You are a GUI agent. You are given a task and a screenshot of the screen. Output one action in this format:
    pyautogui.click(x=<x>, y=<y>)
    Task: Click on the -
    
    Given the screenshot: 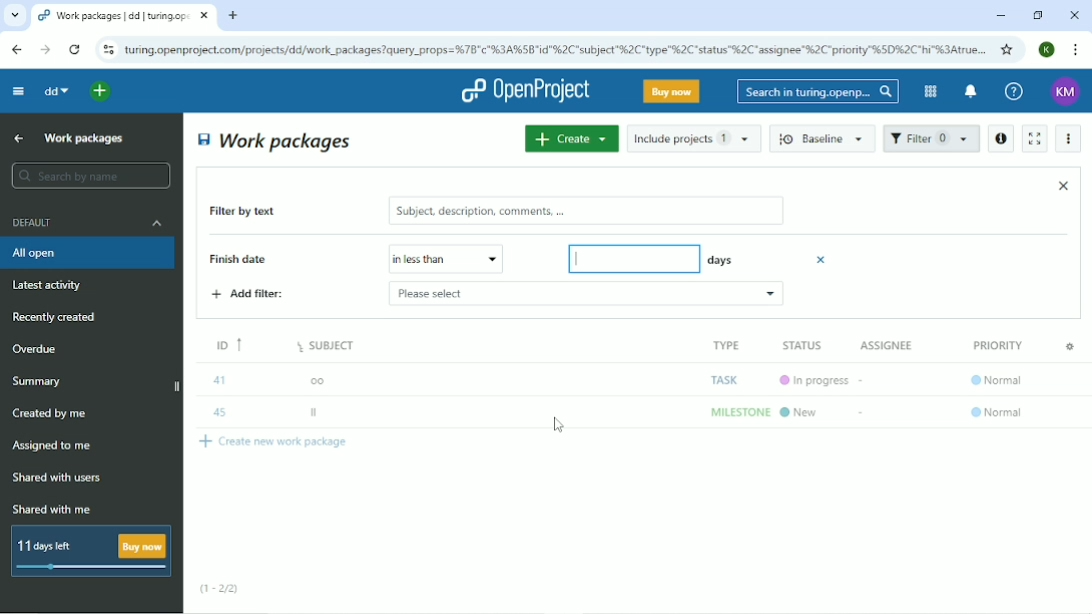 What is the action you would take?
    pyautogui.click(x=863, y=416)
    